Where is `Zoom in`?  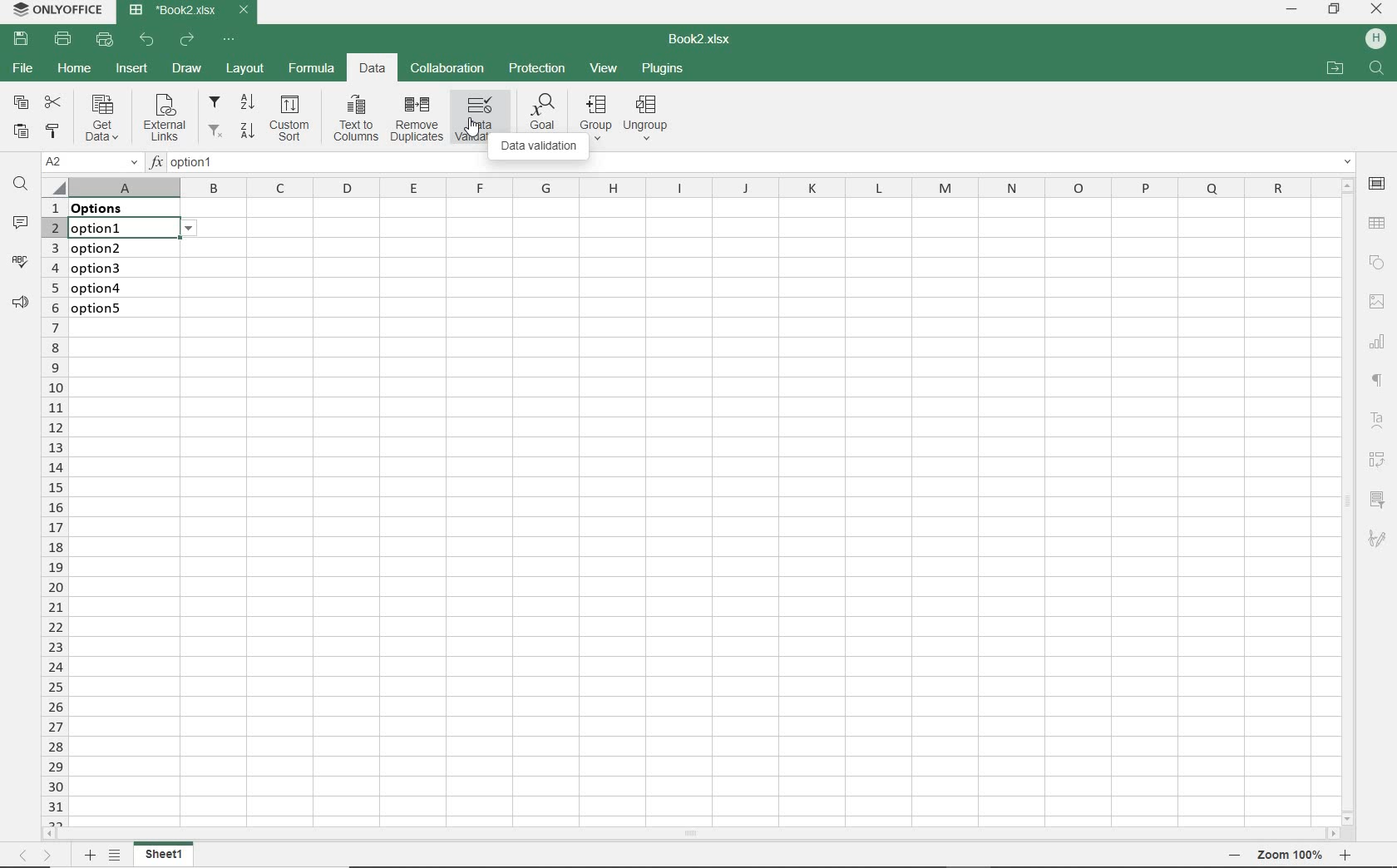 Zoom in is located at coordinates (1348, 857).